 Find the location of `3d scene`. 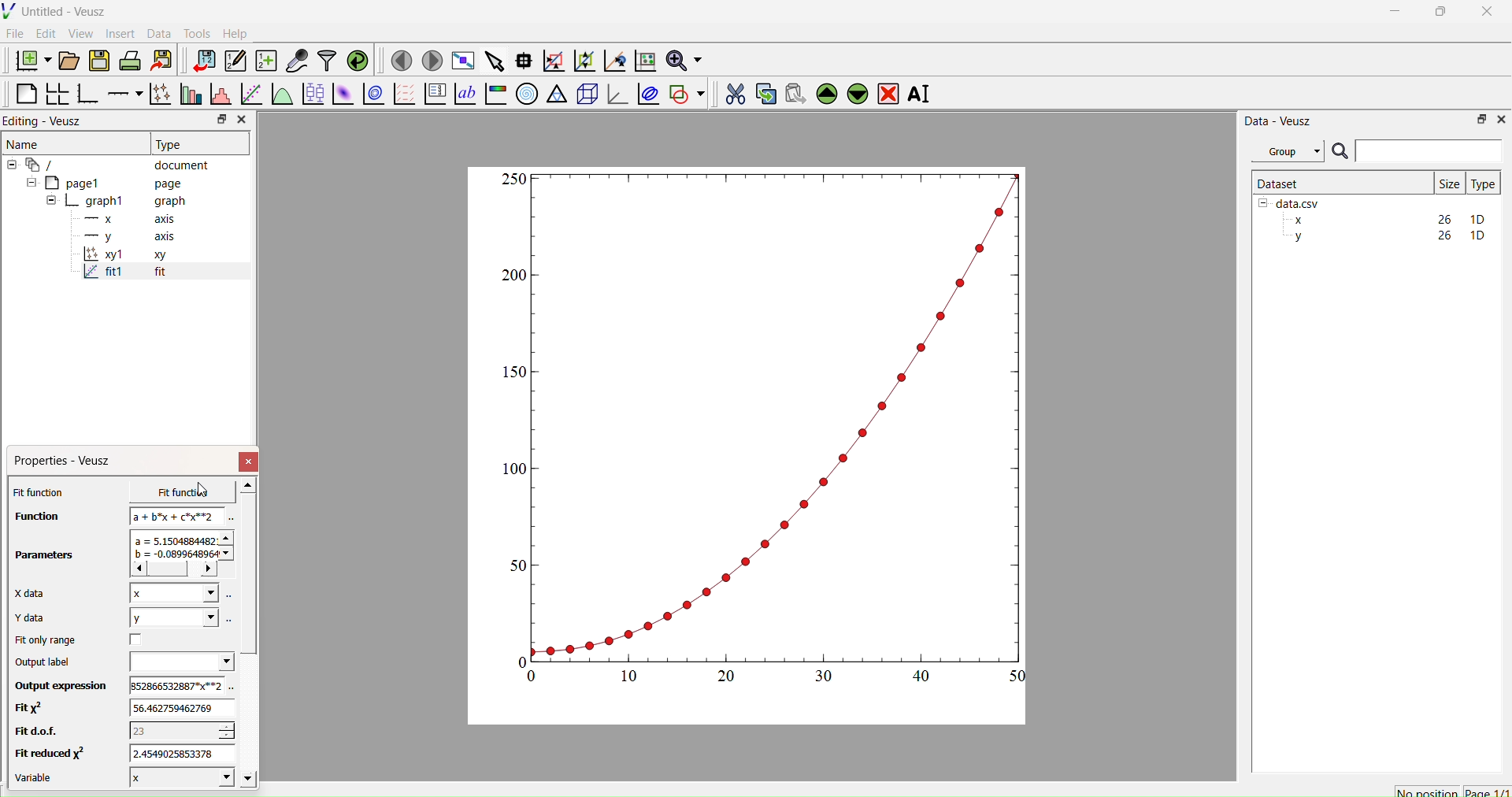

3d scene is located at coordinates (585, 91).